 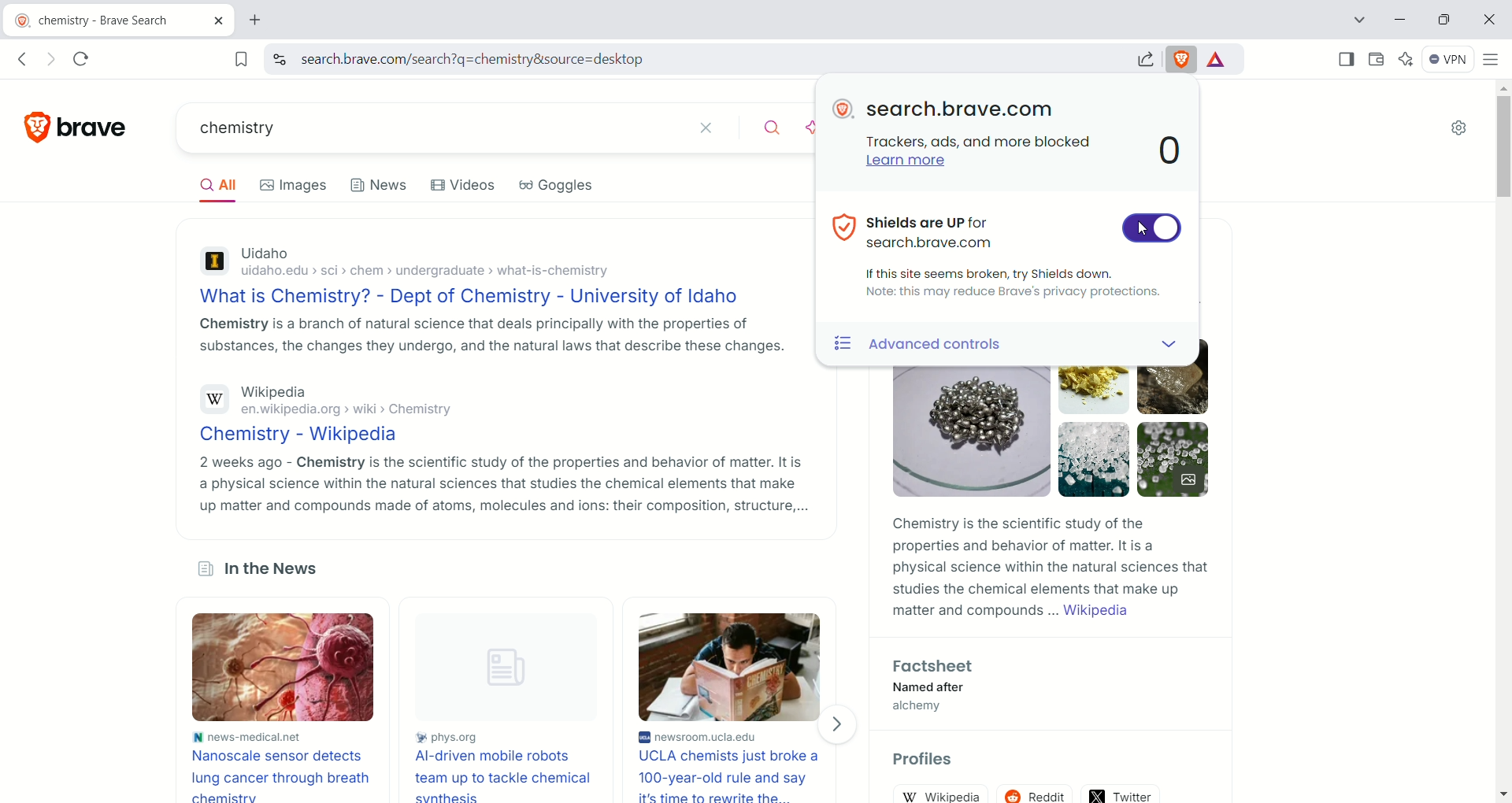 I want to click on Brave shield, so click(x=1183, y=58).